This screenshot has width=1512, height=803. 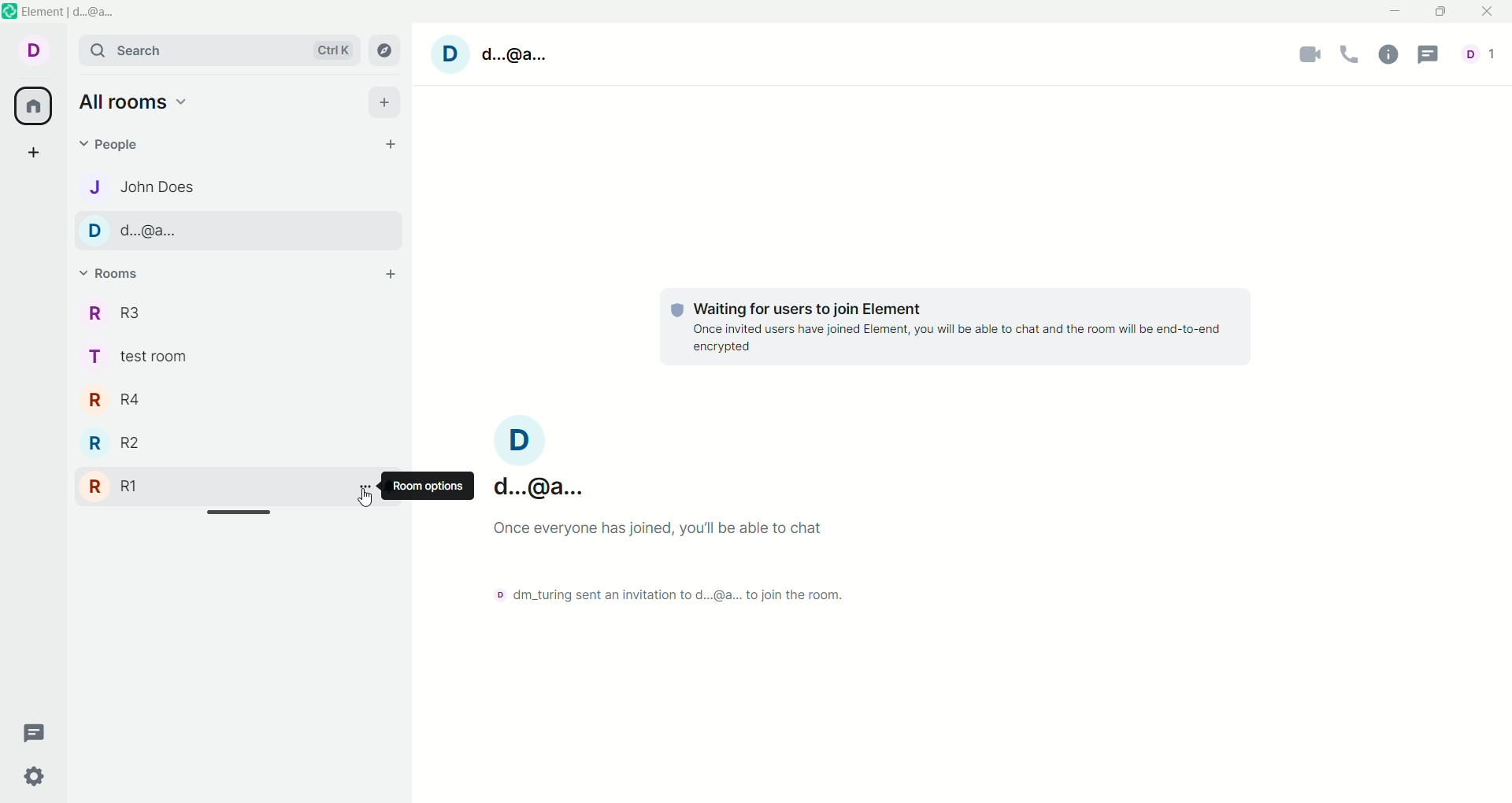 What do you see at coordinates (387, 142) in the screenshot?
I see `start chat` at bounding box center [387, 142].